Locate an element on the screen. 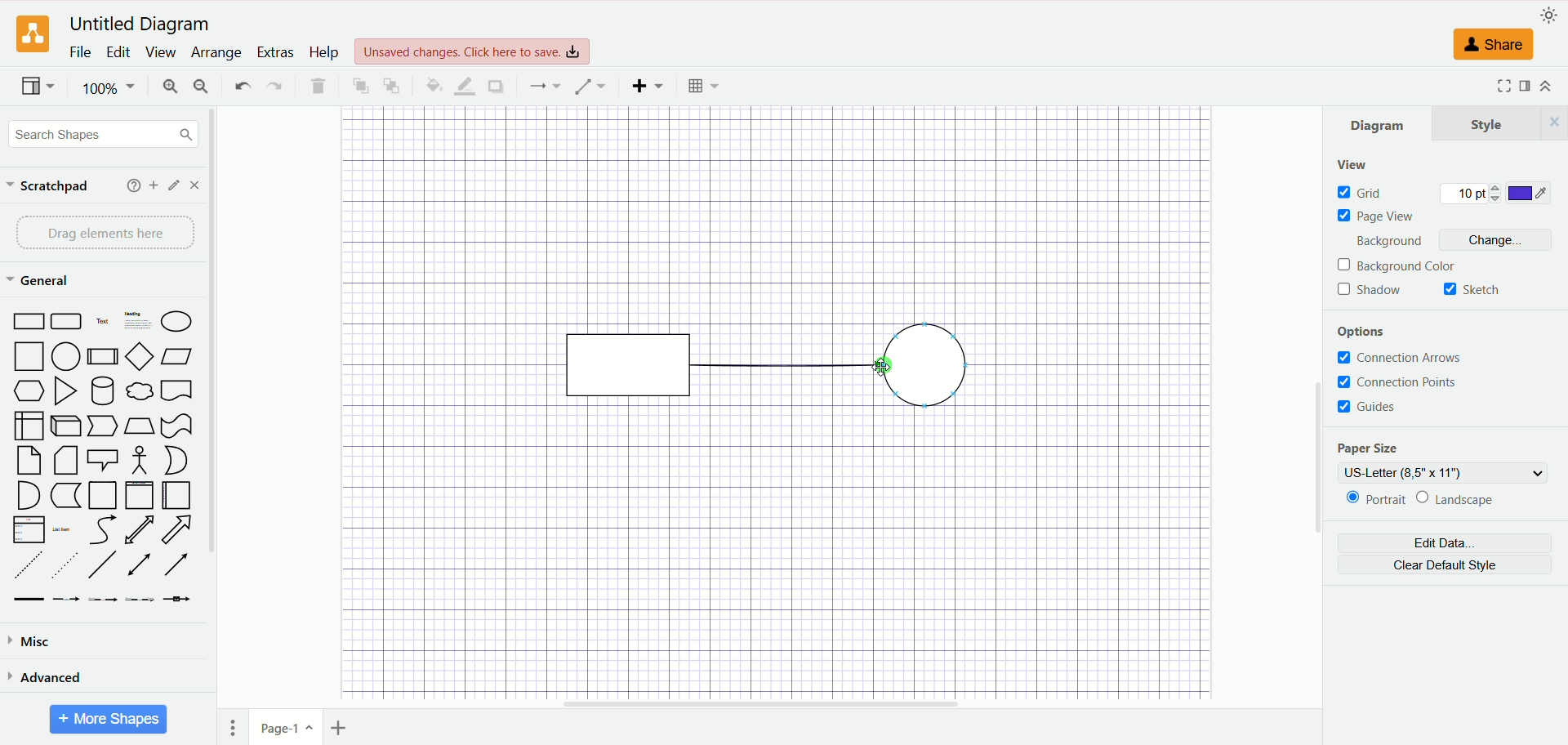 The height and width of the screenshot is (745, 1568). edit is located at coordinates (118, 54).